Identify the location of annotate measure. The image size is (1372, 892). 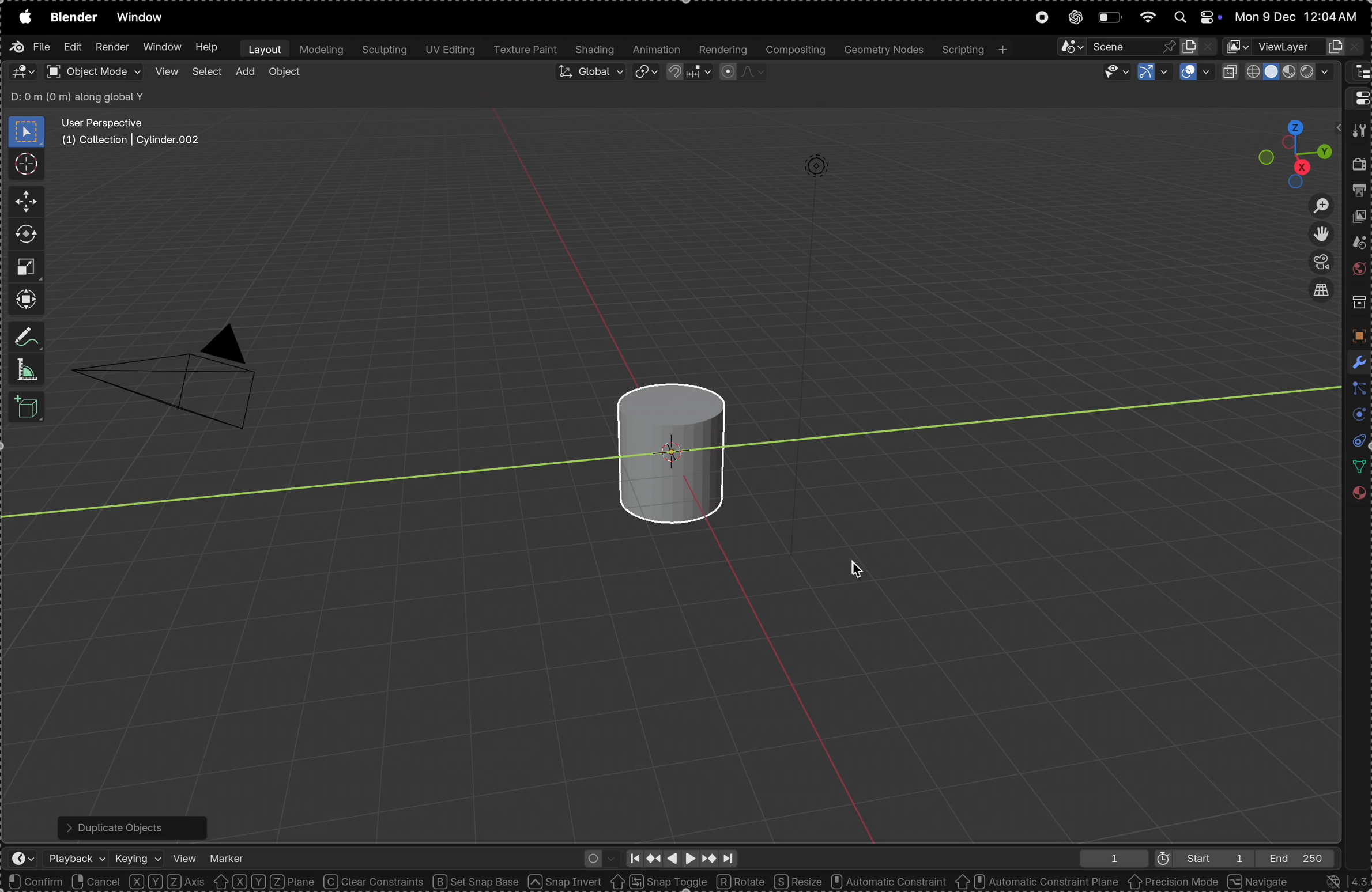
(28, 338).